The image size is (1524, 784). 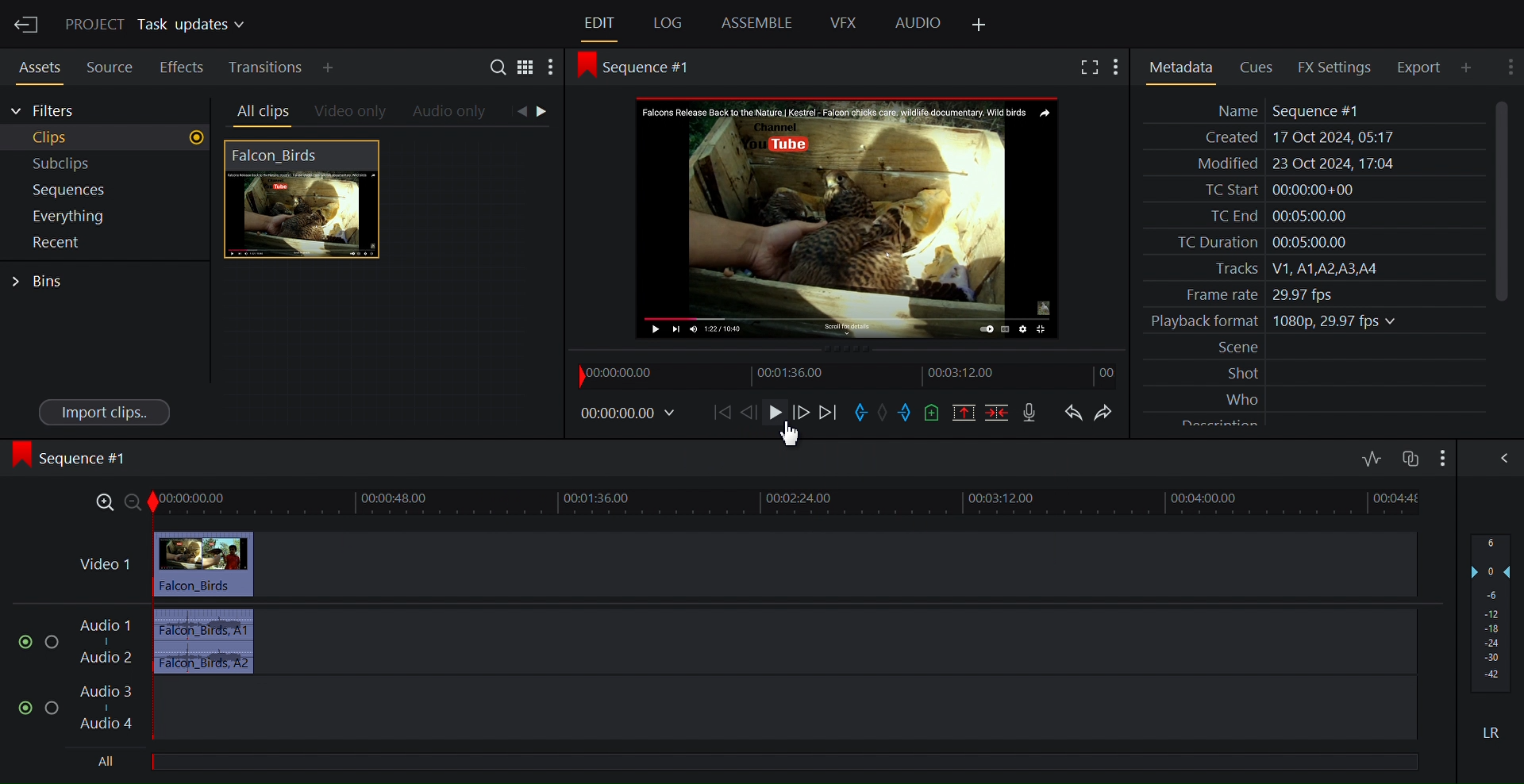 What do you see at coordinates (102, 503) in the screenshot?
I see `Zoom in` at bounding box center [102, 503].